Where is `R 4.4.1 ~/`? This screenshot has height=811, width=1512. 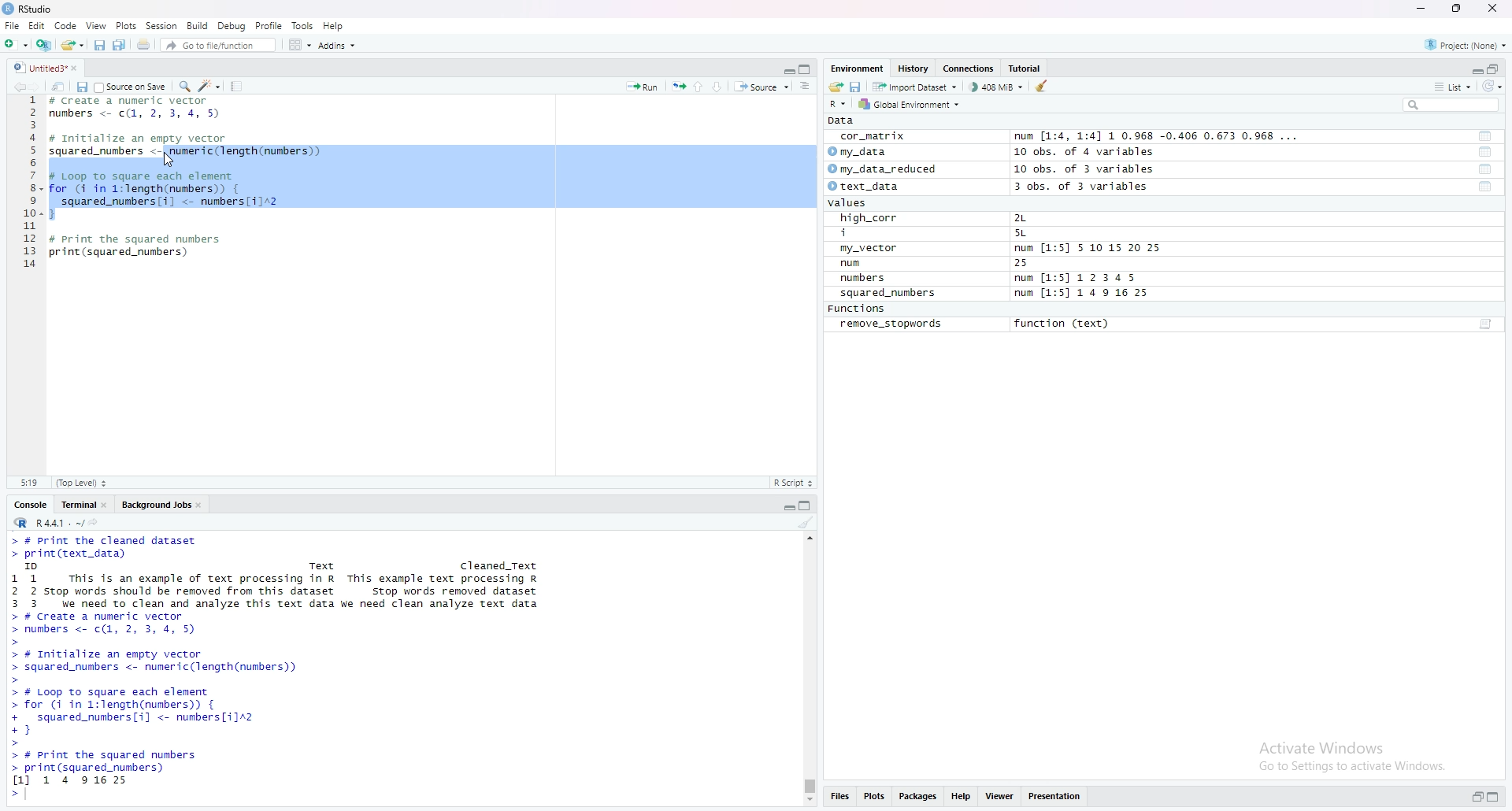
R 4.4.1 ~/ is located at coordinates (46, 521).